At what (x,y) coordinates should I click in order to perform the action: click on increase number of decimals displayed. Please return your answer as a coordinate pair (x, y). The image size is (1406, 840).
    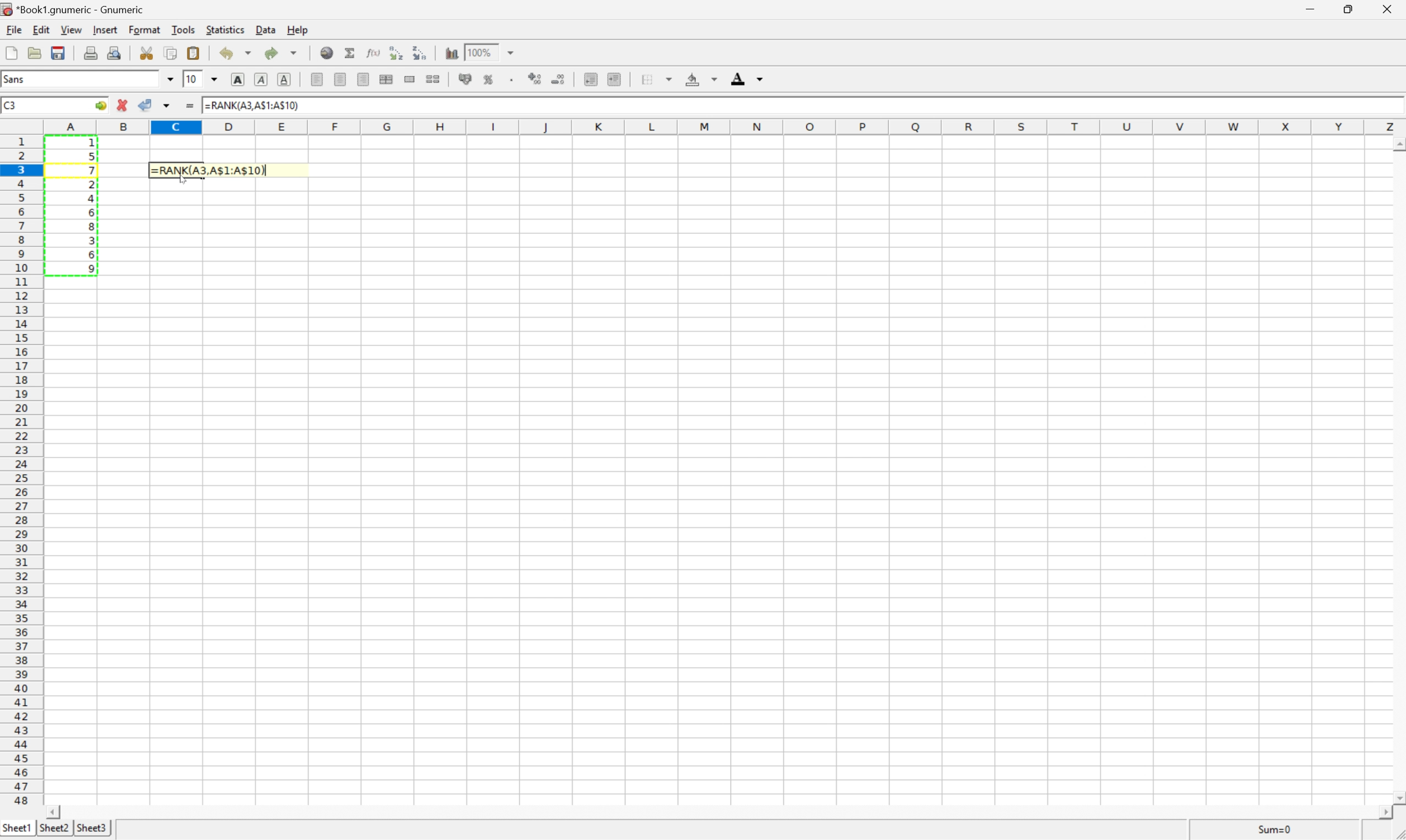
    Looking at the image, I should click on (533, 80).